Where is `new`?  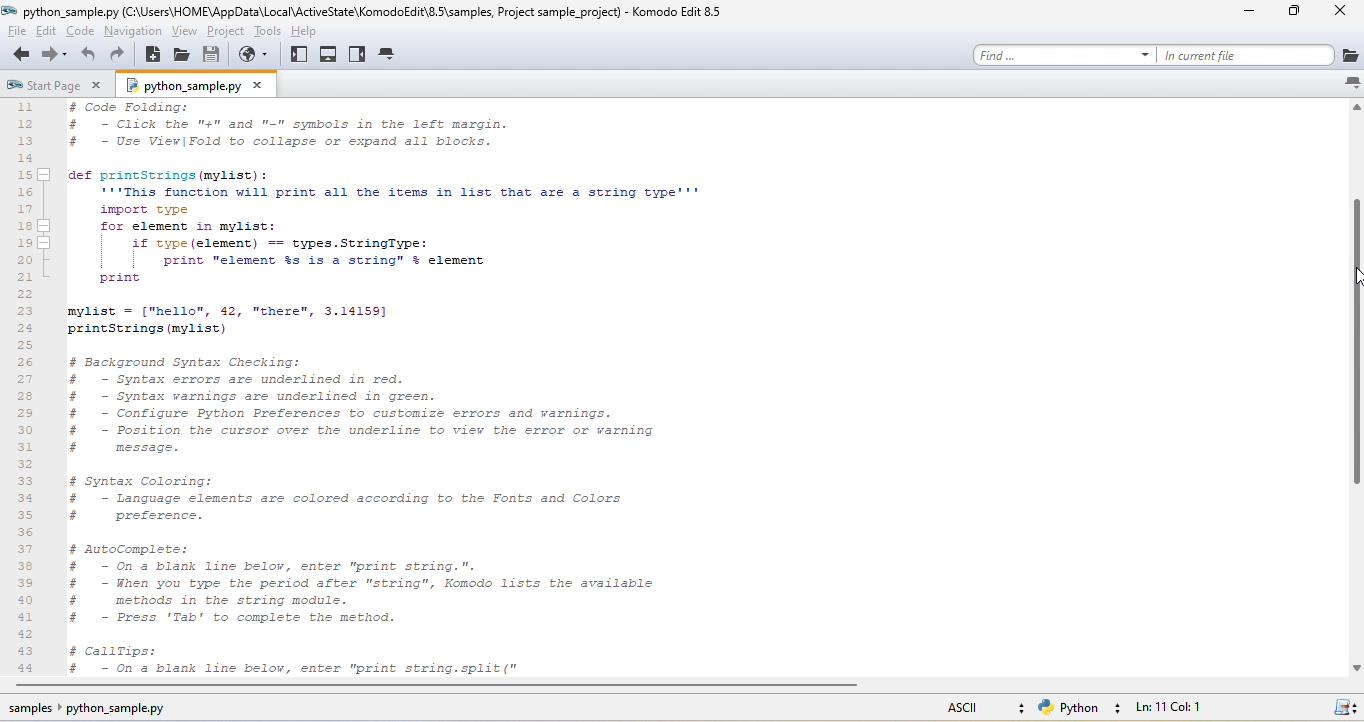
new is located at coordinates (153, 55).